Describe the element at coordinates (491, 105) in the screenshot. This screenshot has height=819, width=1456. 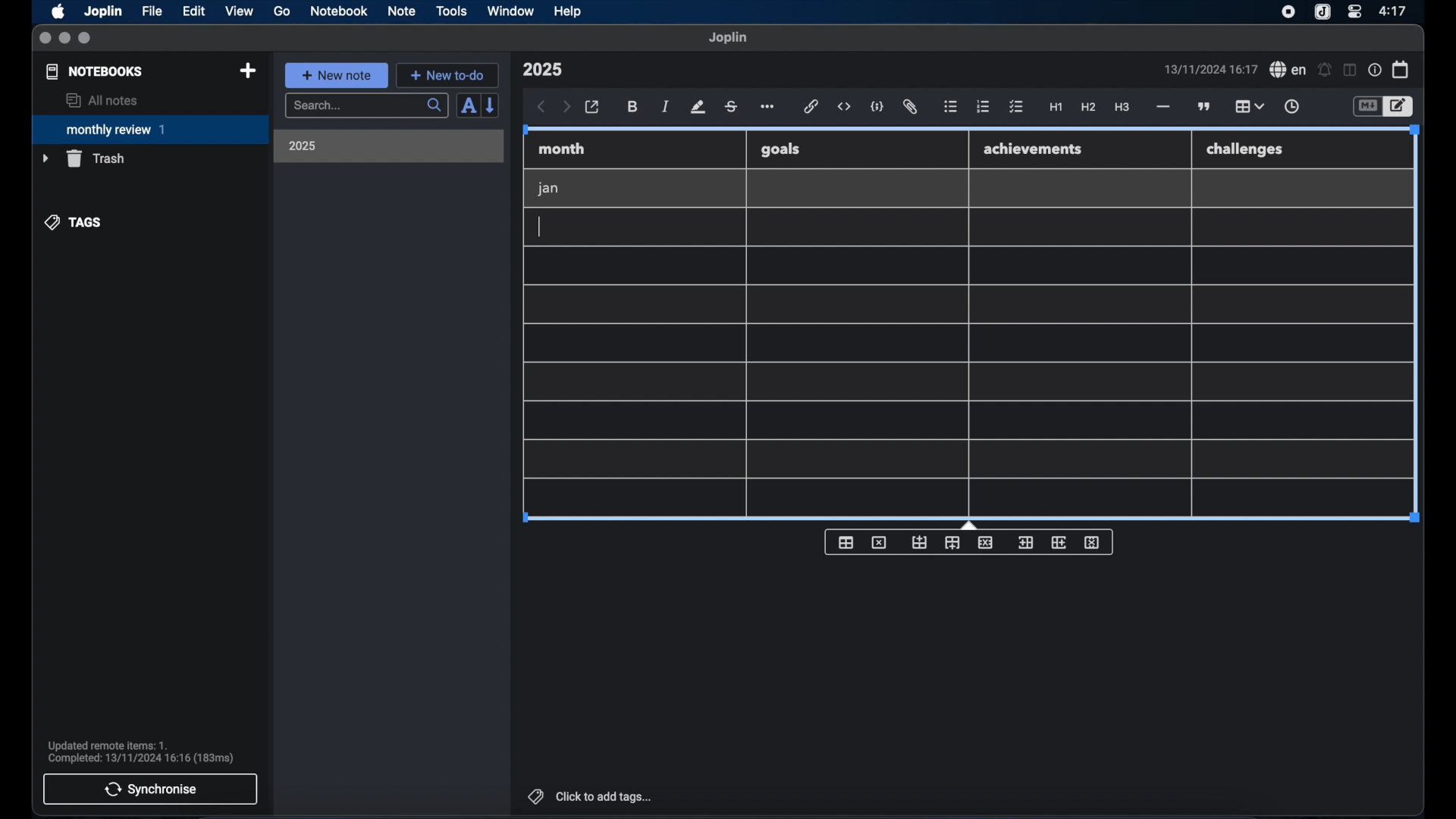
I see `reverse sort order` at that location.